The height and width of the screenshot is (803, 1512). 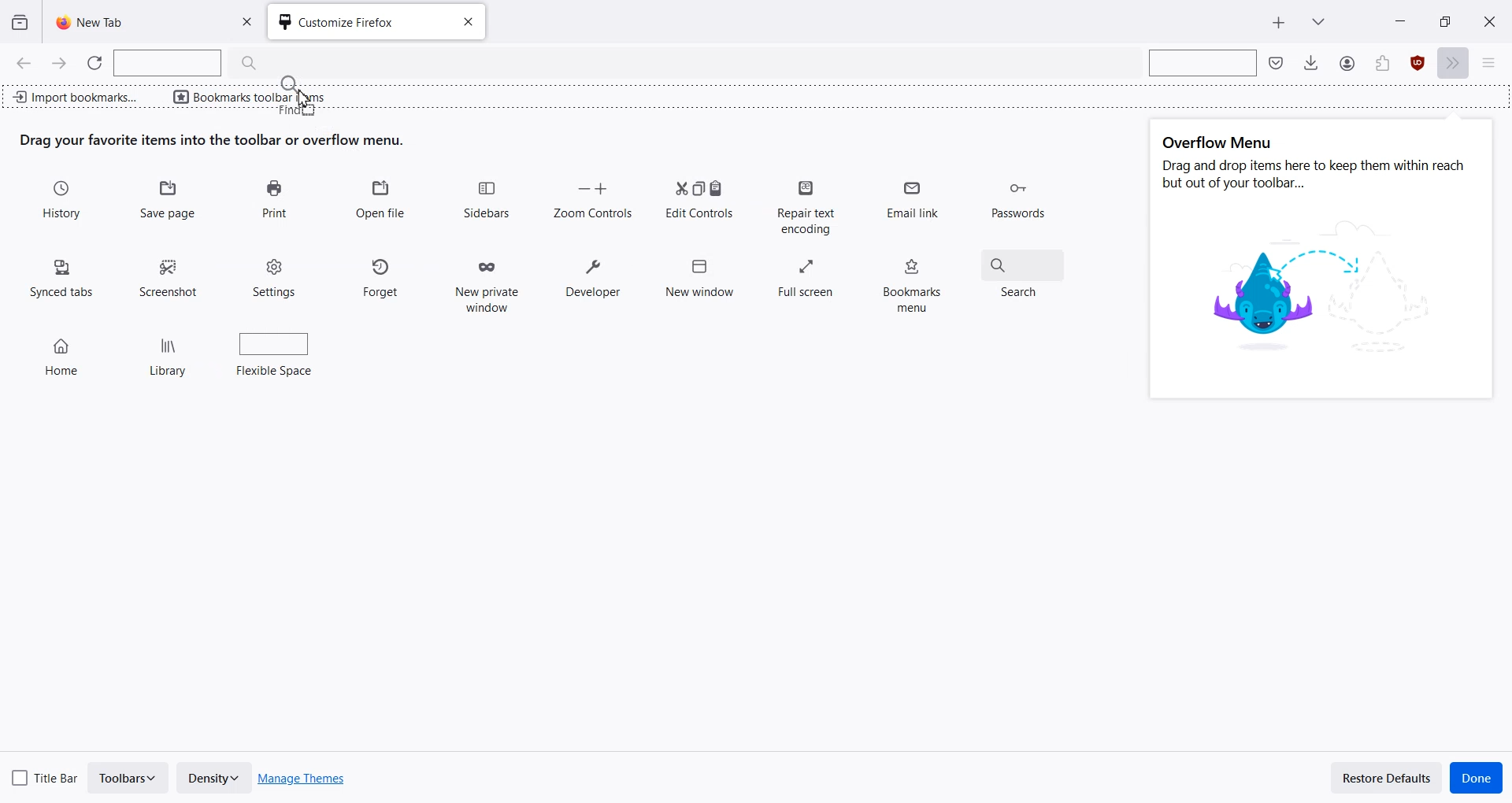 I want to click on Library, so click(x=170, y=350).